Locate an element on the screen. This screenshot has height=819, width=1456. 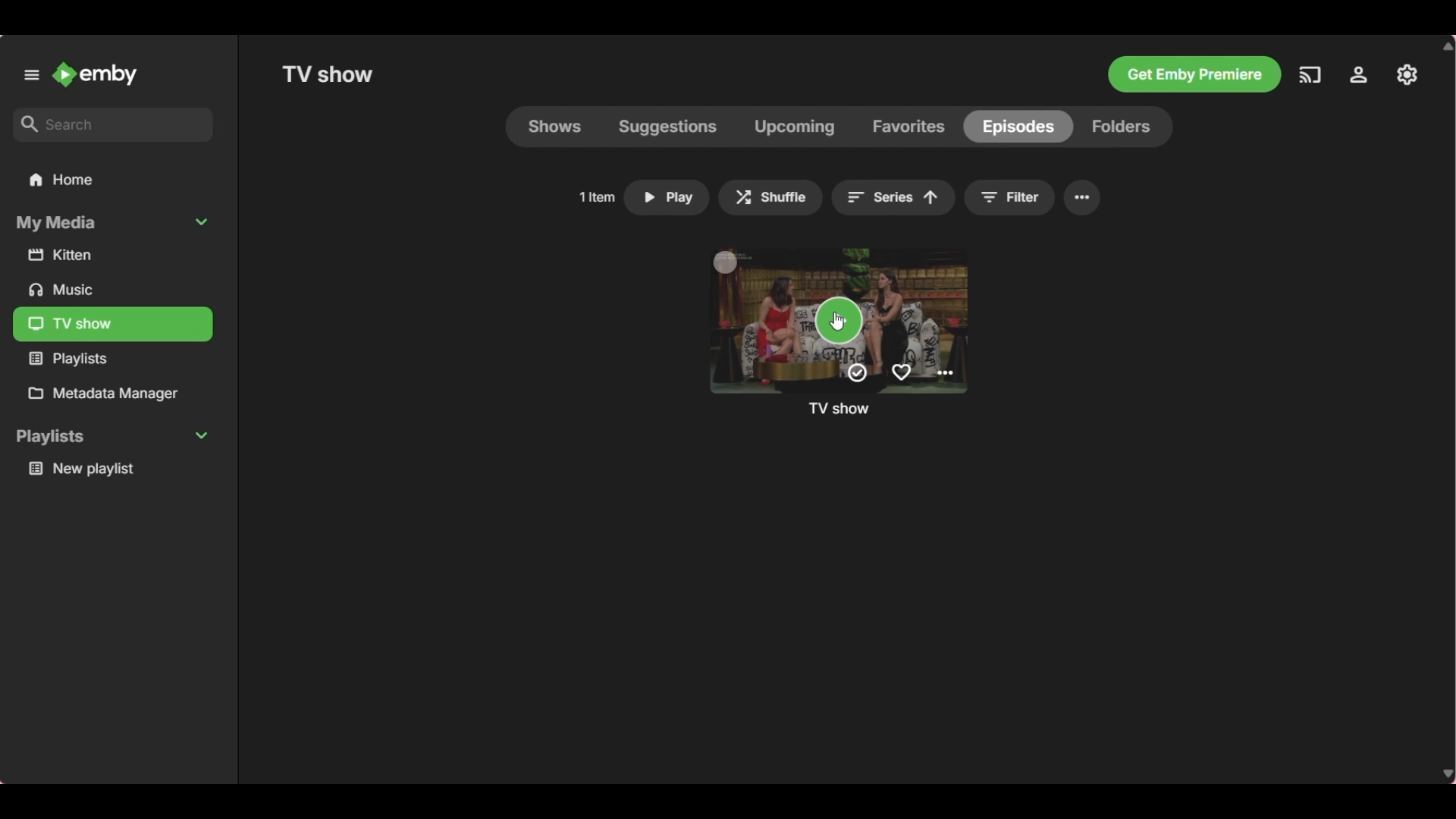
Home folder, current selection is located at coordinates (62, 181).